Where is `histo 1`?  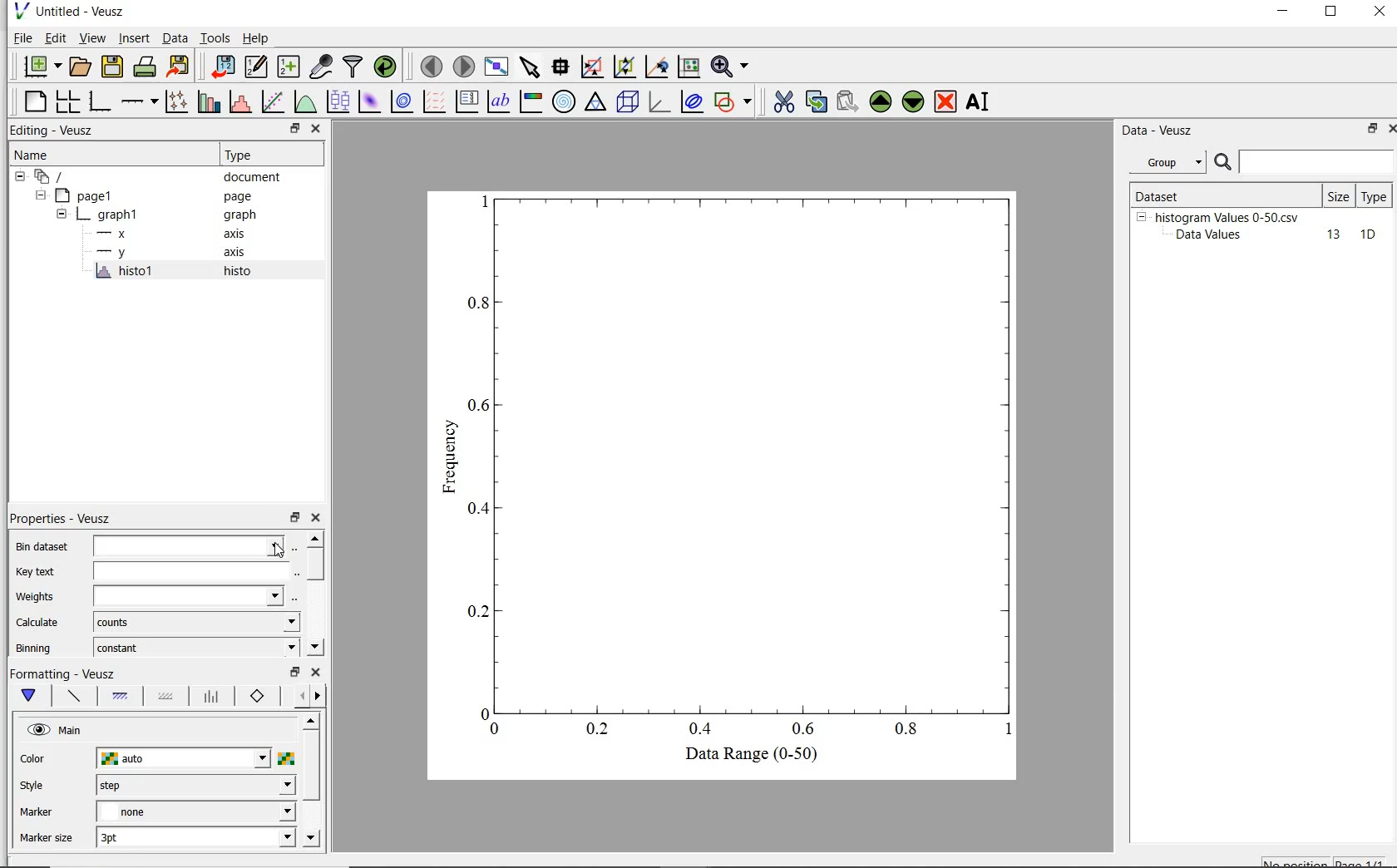
histo 1 is located at coordinates (126, 272).